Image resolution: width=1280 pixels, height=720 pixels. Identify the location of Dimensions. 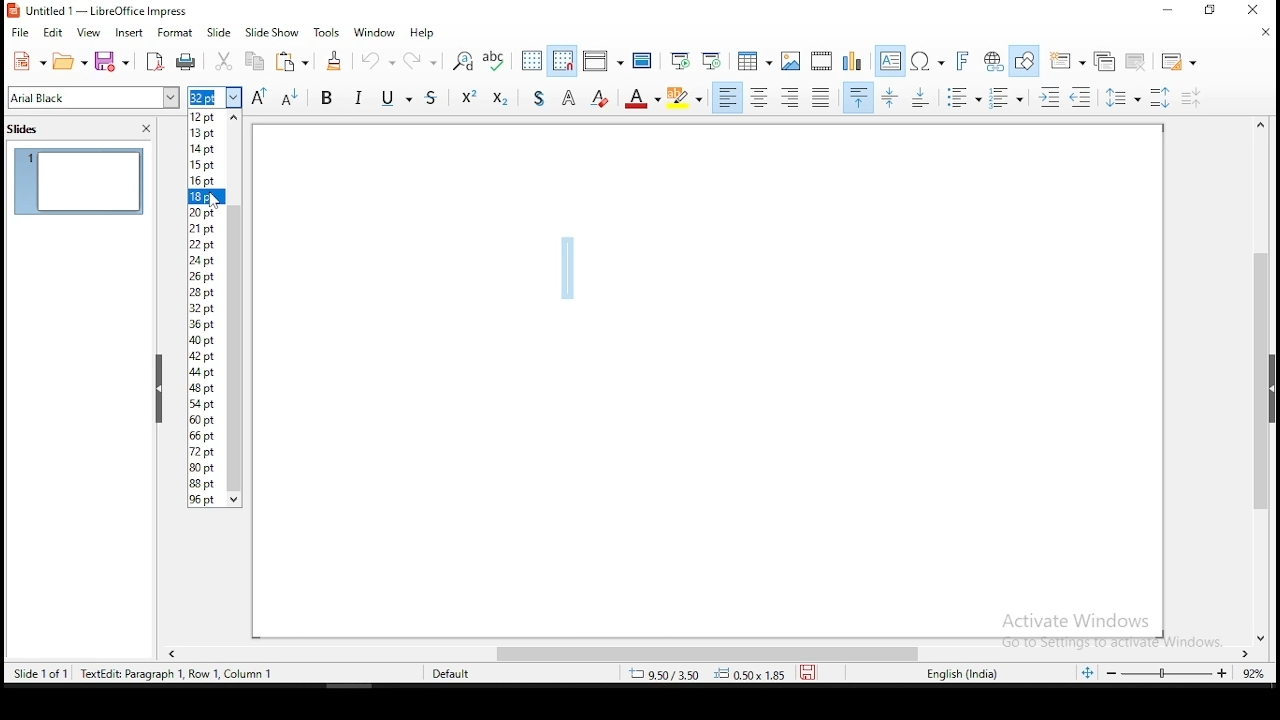
(707, 673).